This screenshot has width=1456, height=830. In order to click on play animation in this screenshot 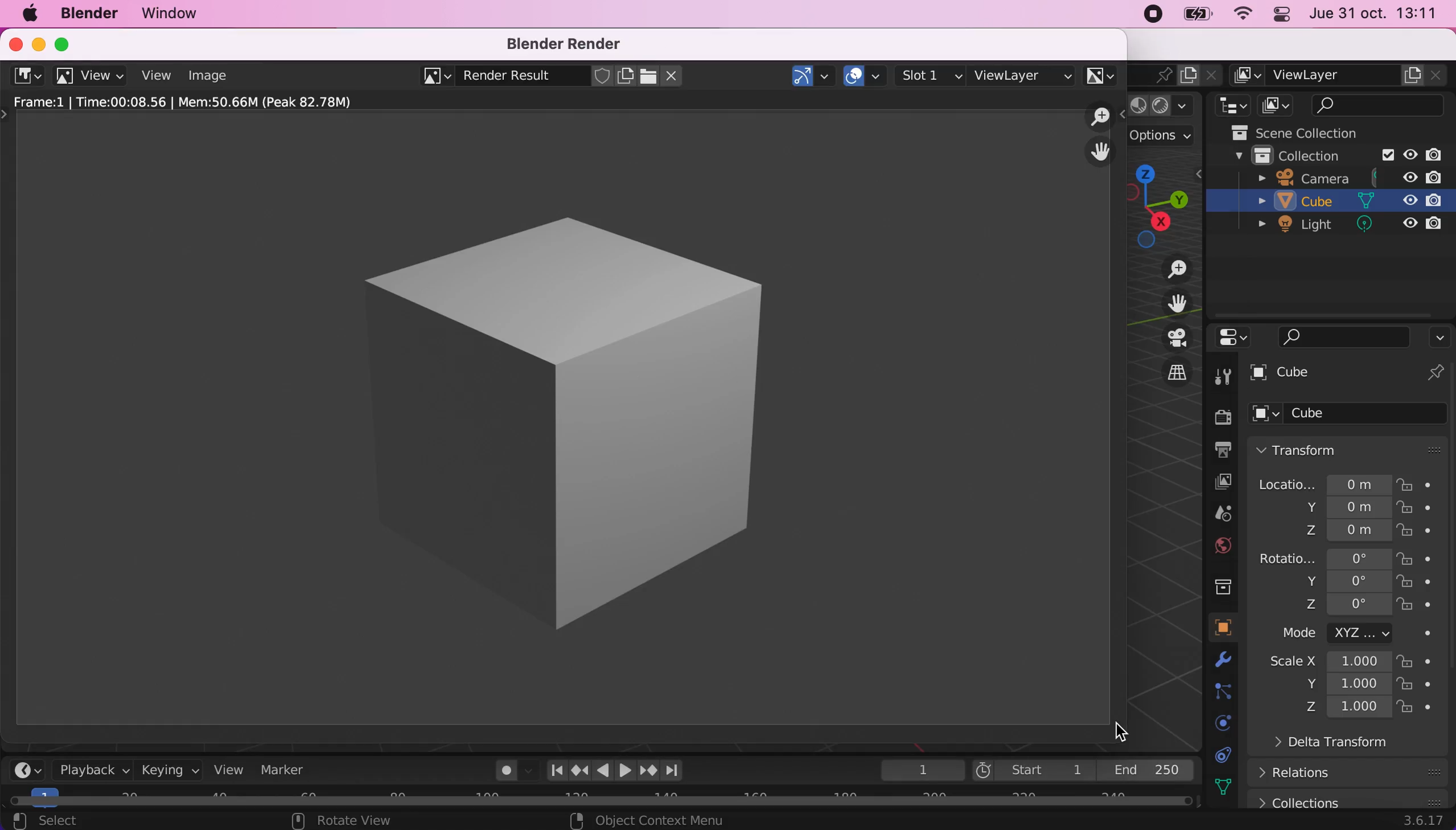, I will do `click(602, 770)`.